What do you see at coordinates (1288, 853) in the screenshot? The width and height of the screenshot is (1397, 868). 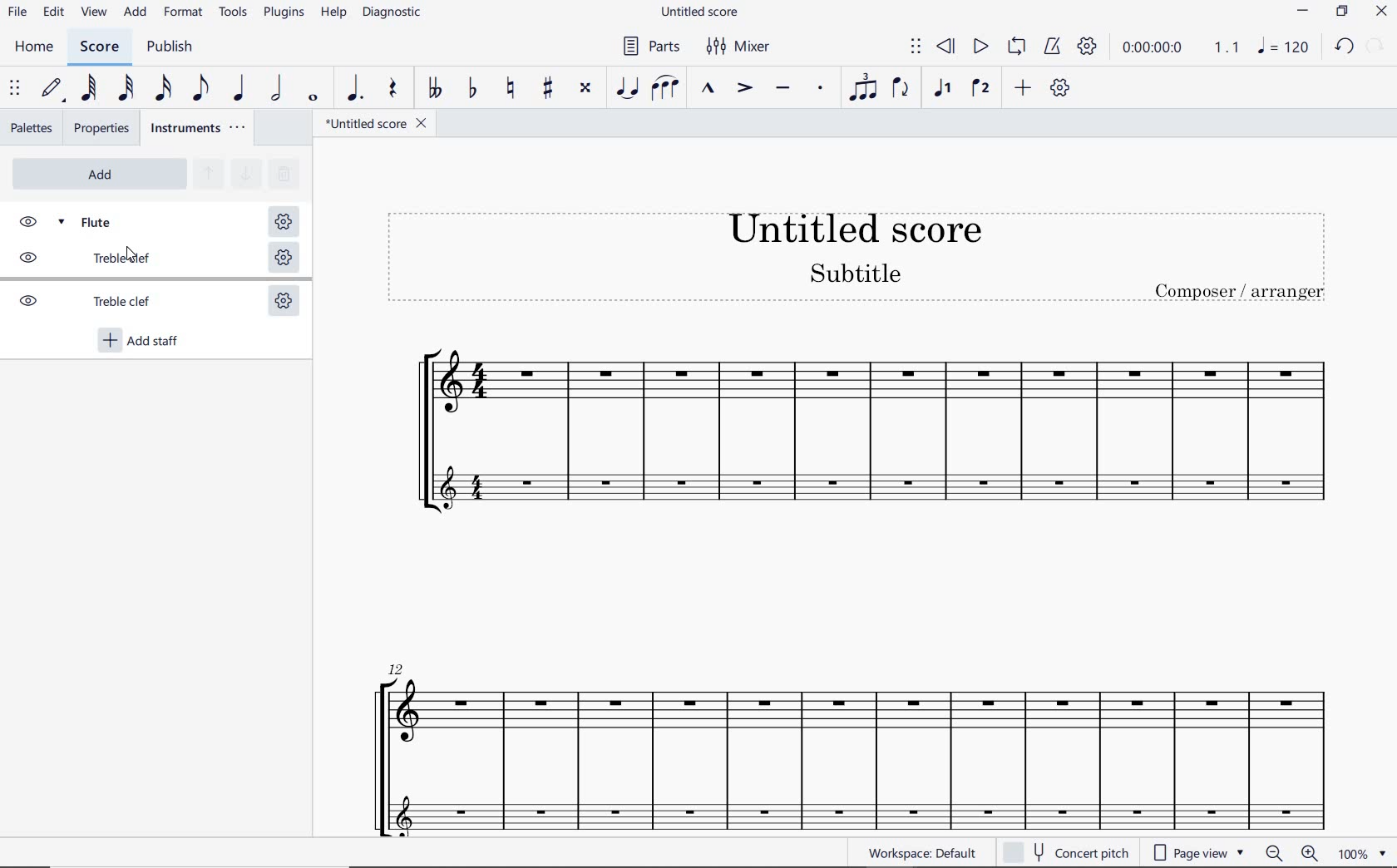 I see `zoom in or zoom out` at bounding box center [1288, 853].